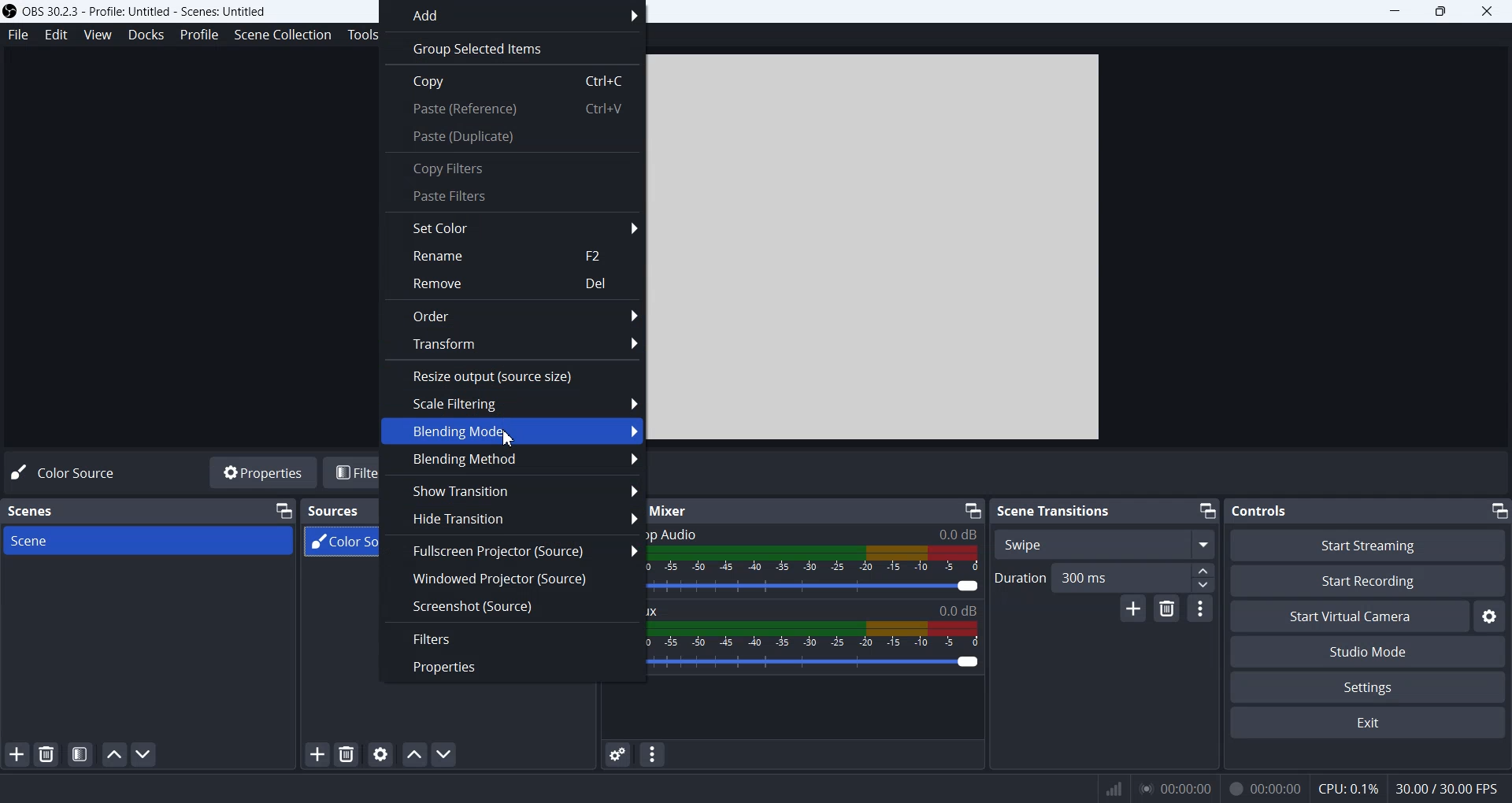 The width and height of the screenshot is (1512, 803). I want to click on Volume Indicator, so click(817, 560).